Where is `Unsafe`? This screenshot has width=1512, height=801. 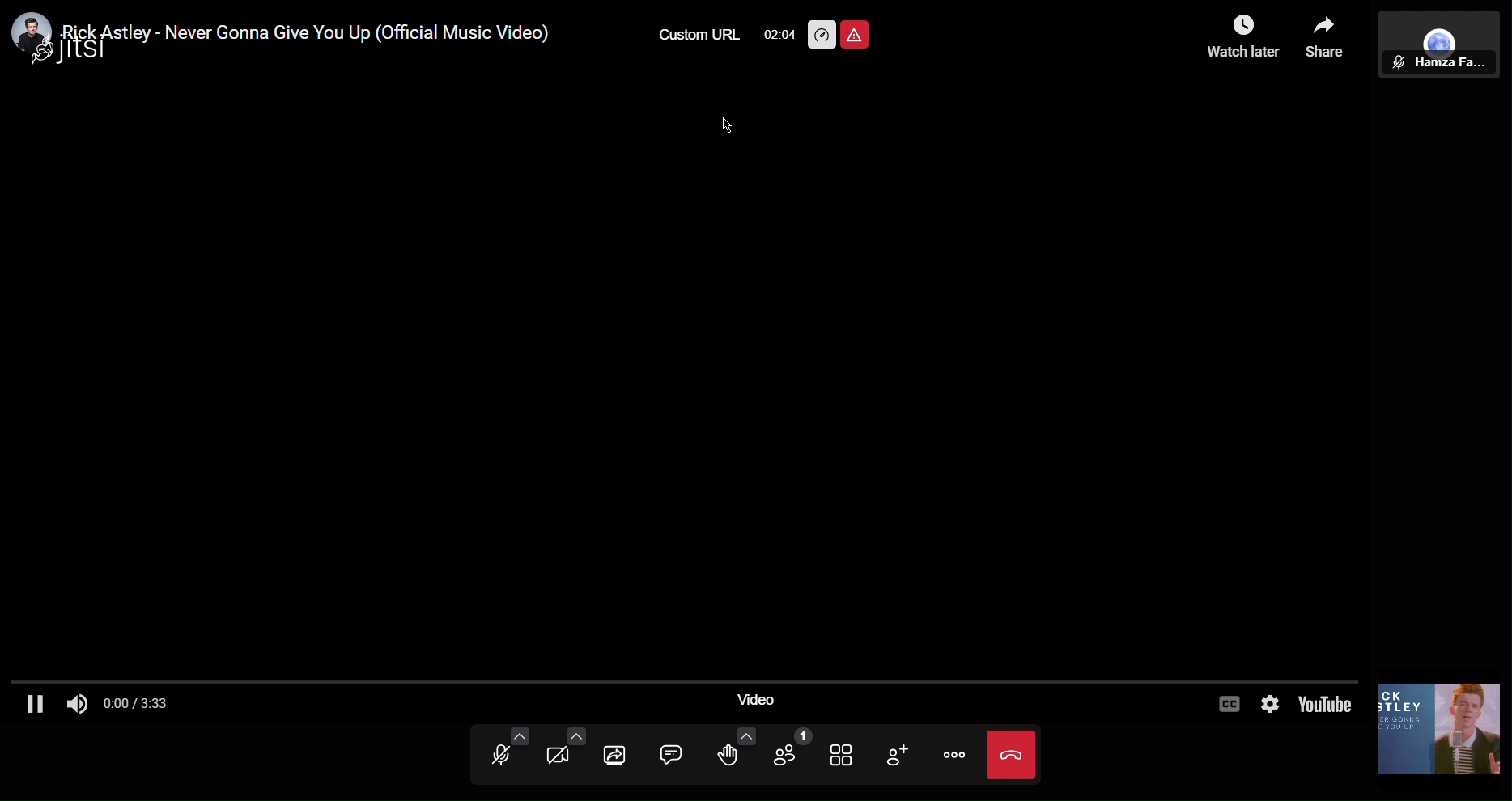
Unsafe is located at coordinates (855, 34).